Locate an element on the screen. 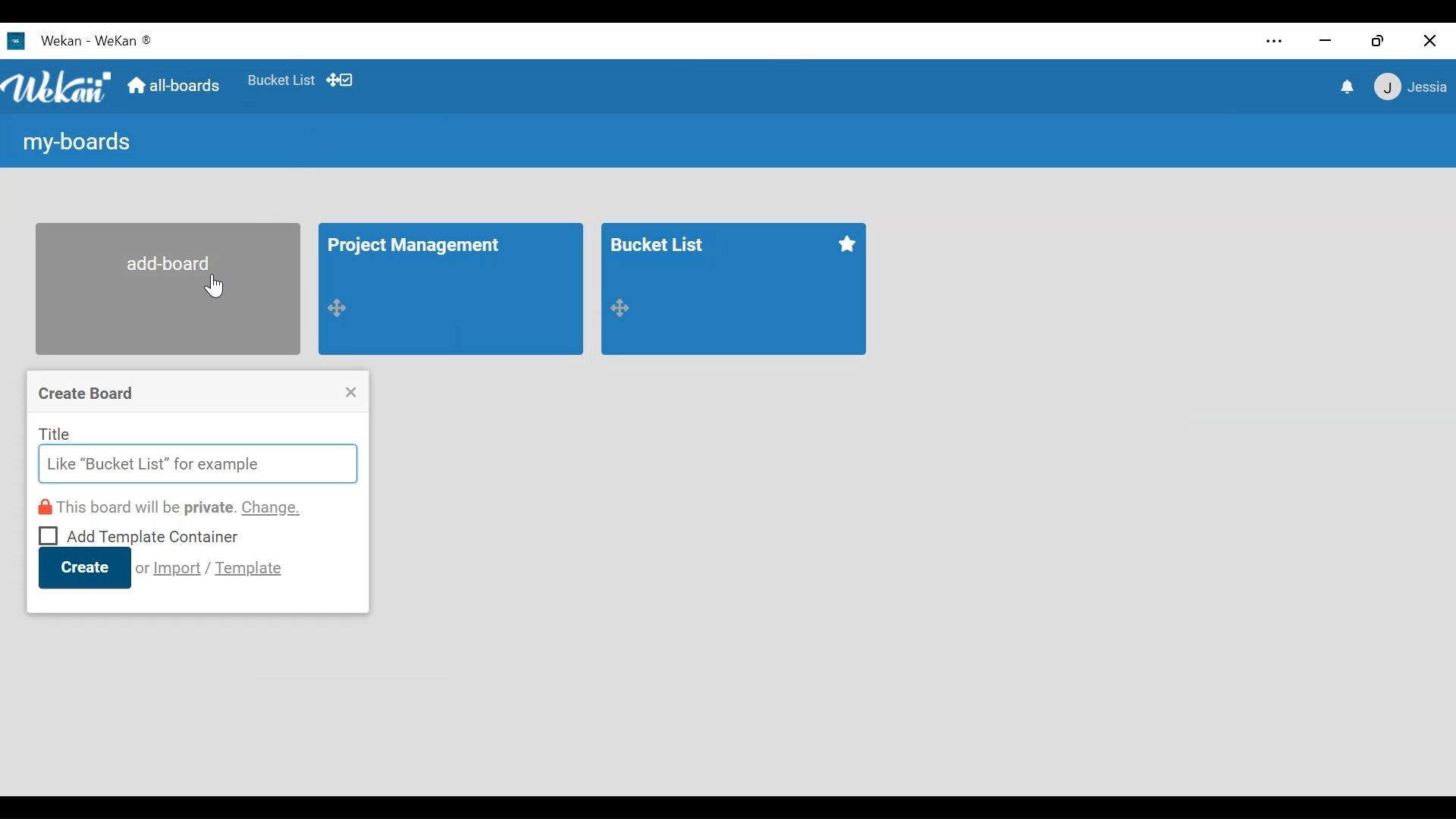 The image size is (1456, 819). Create is located at coordinates (84, 568).